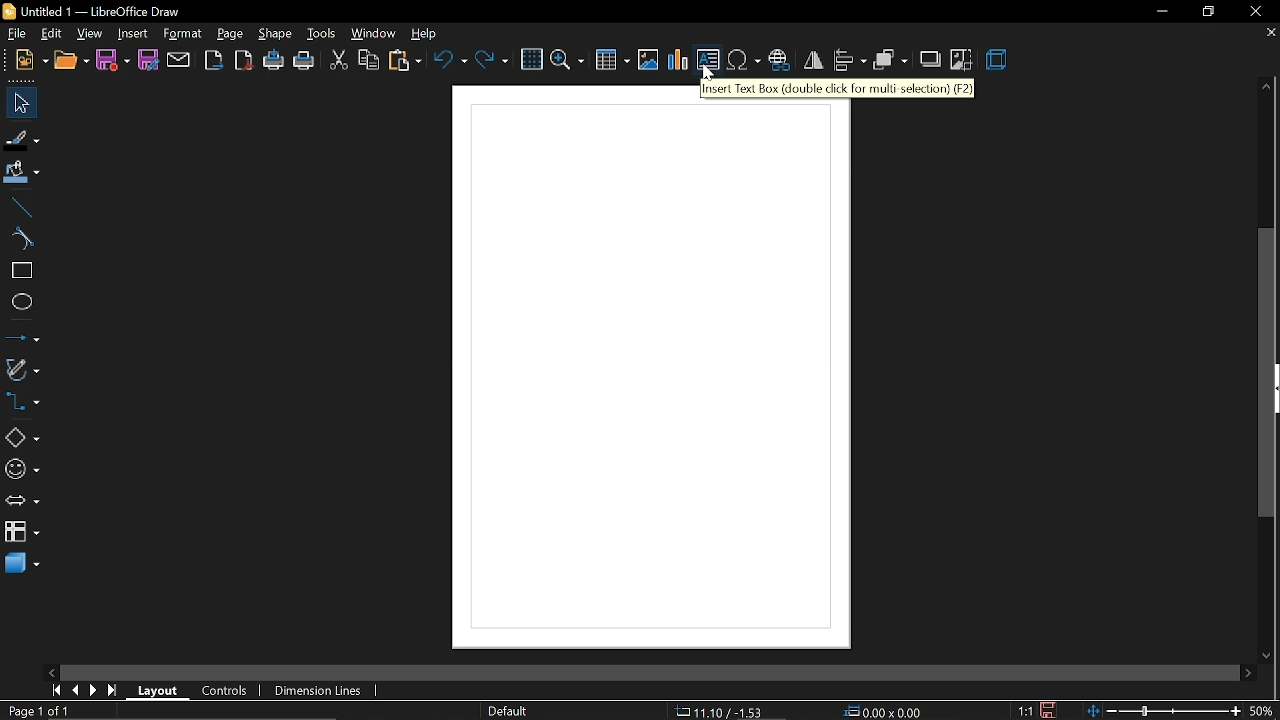 The image size is (1280, 720). I want to click on current page, so click(38, 711).